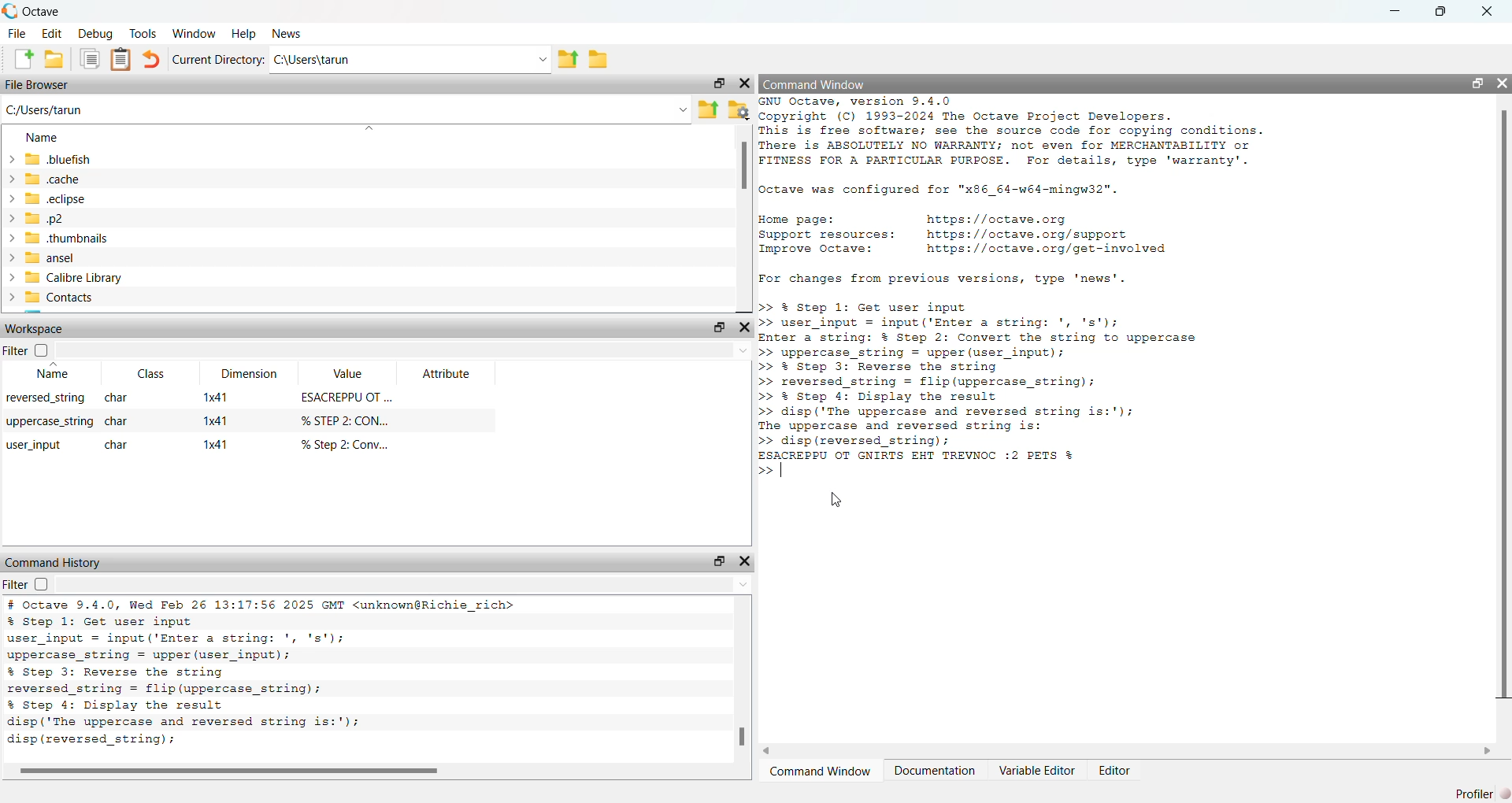 This screenshot has width=1512, height=803. Describe the element at coordinates (20, 60) in the screenshot. I see `new script` at that location.